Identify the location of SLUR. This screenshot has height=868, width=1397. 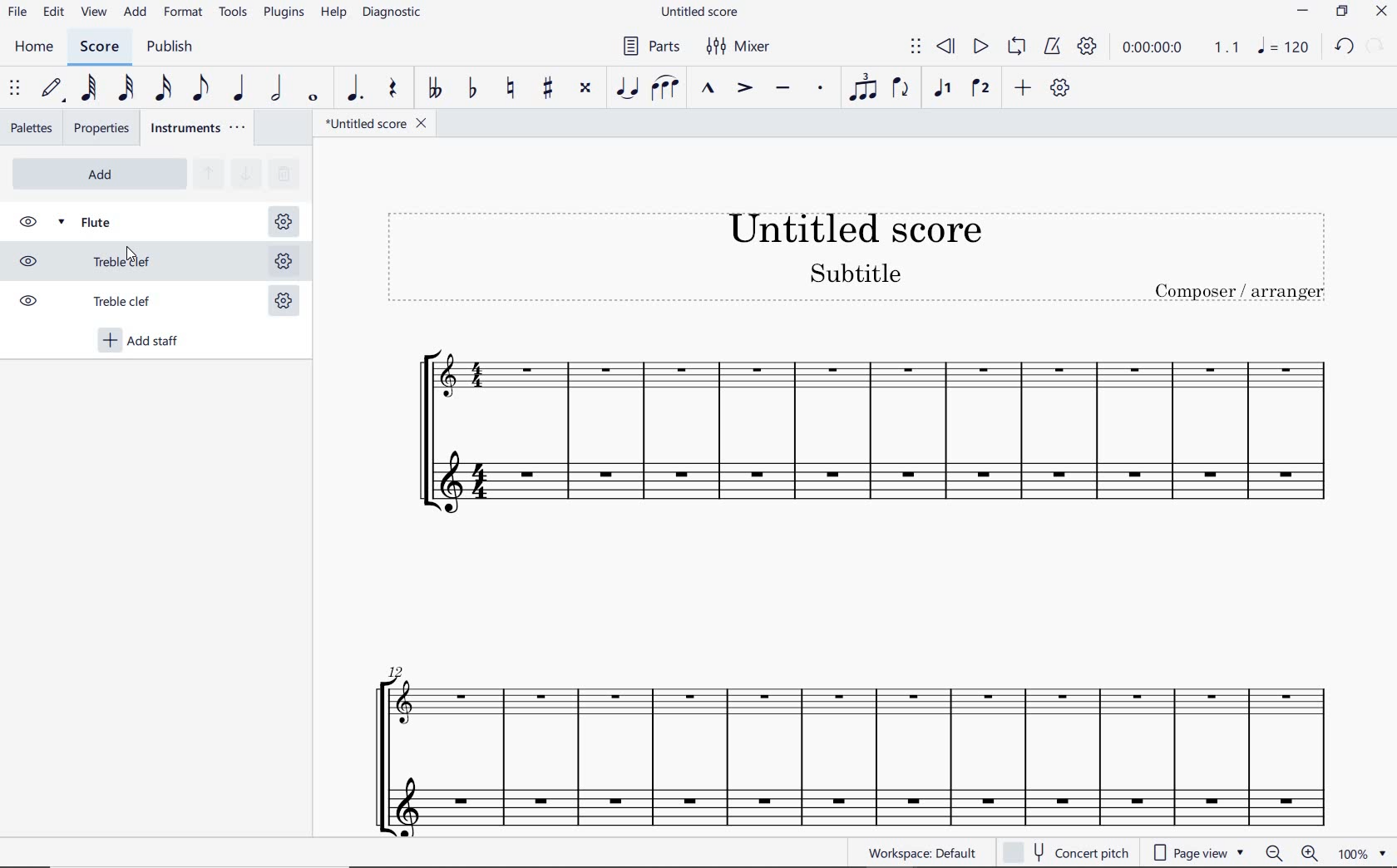
(665, 88).